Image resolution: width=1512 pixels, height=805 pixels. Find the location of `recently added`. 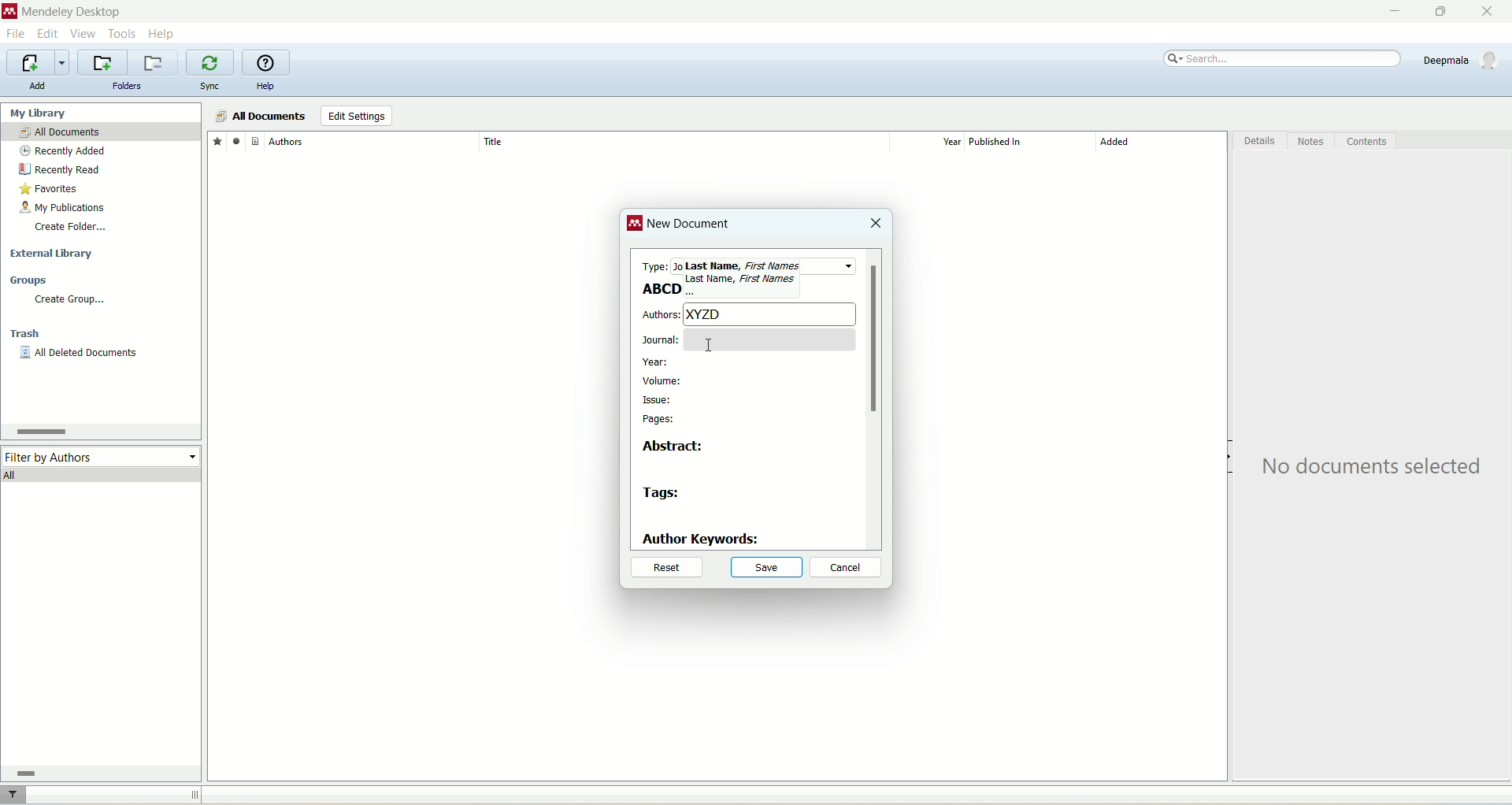

recently added is located at coordinates (63, 151).